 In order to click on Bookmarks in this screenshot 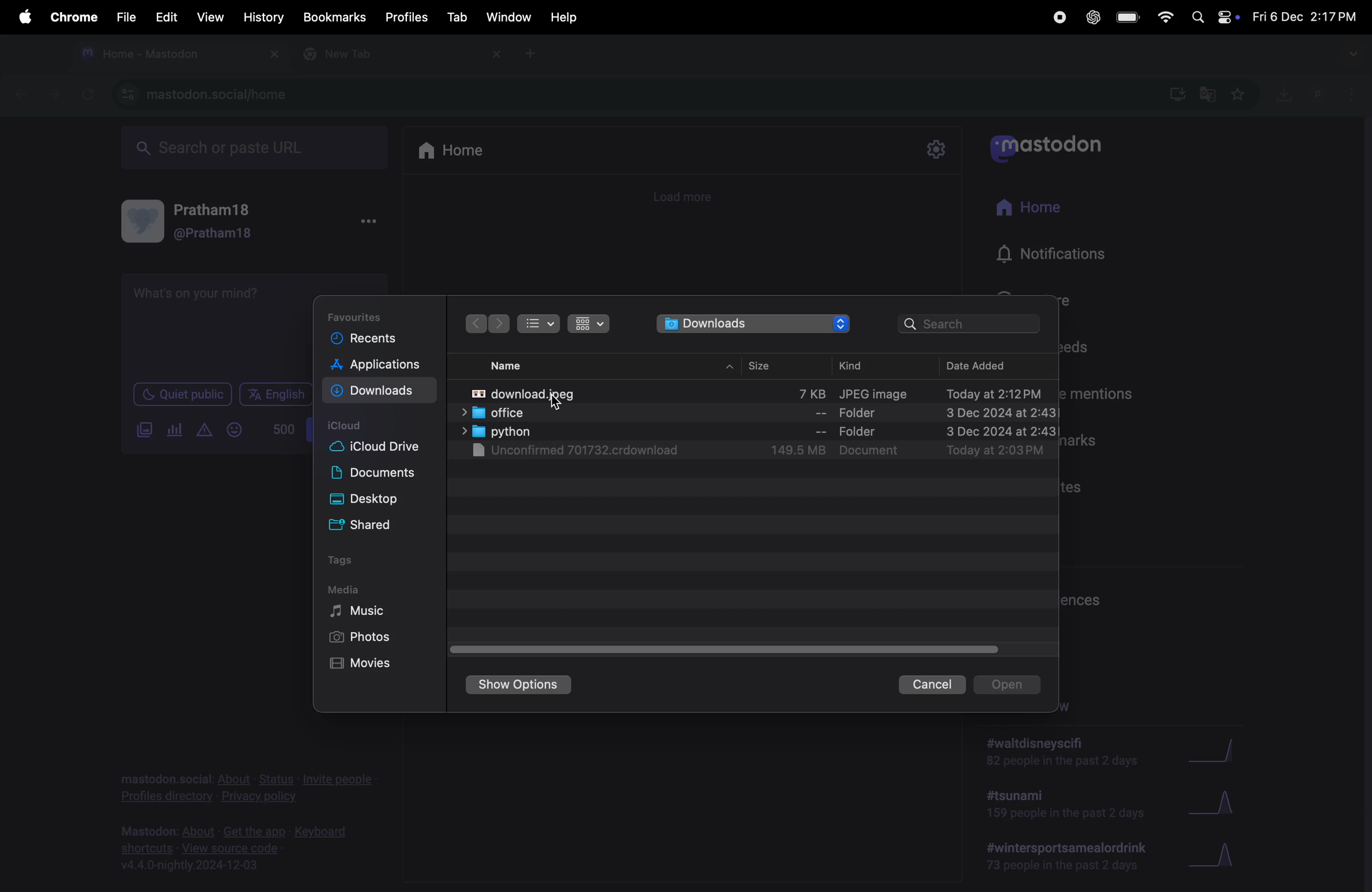, I will do `click(334, 16)`.